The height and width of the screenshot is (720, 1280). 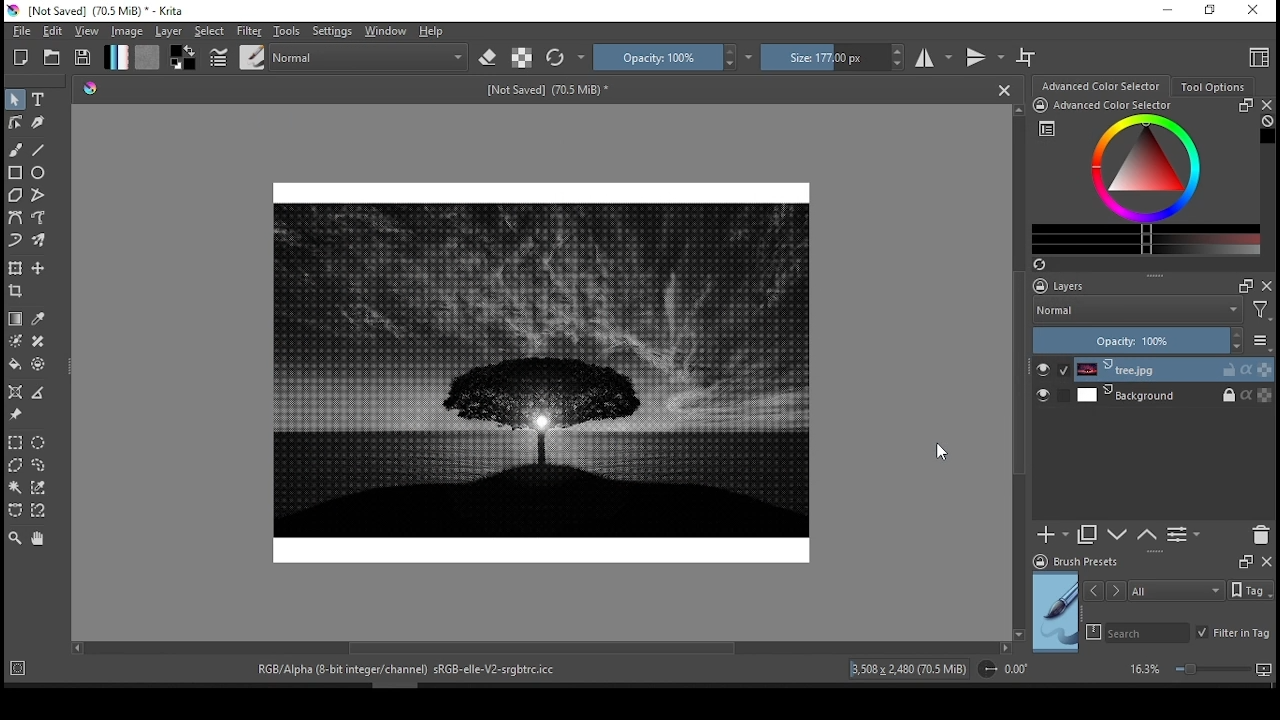 I want to click on move layer or mask up, so click(x=1152, y=537).